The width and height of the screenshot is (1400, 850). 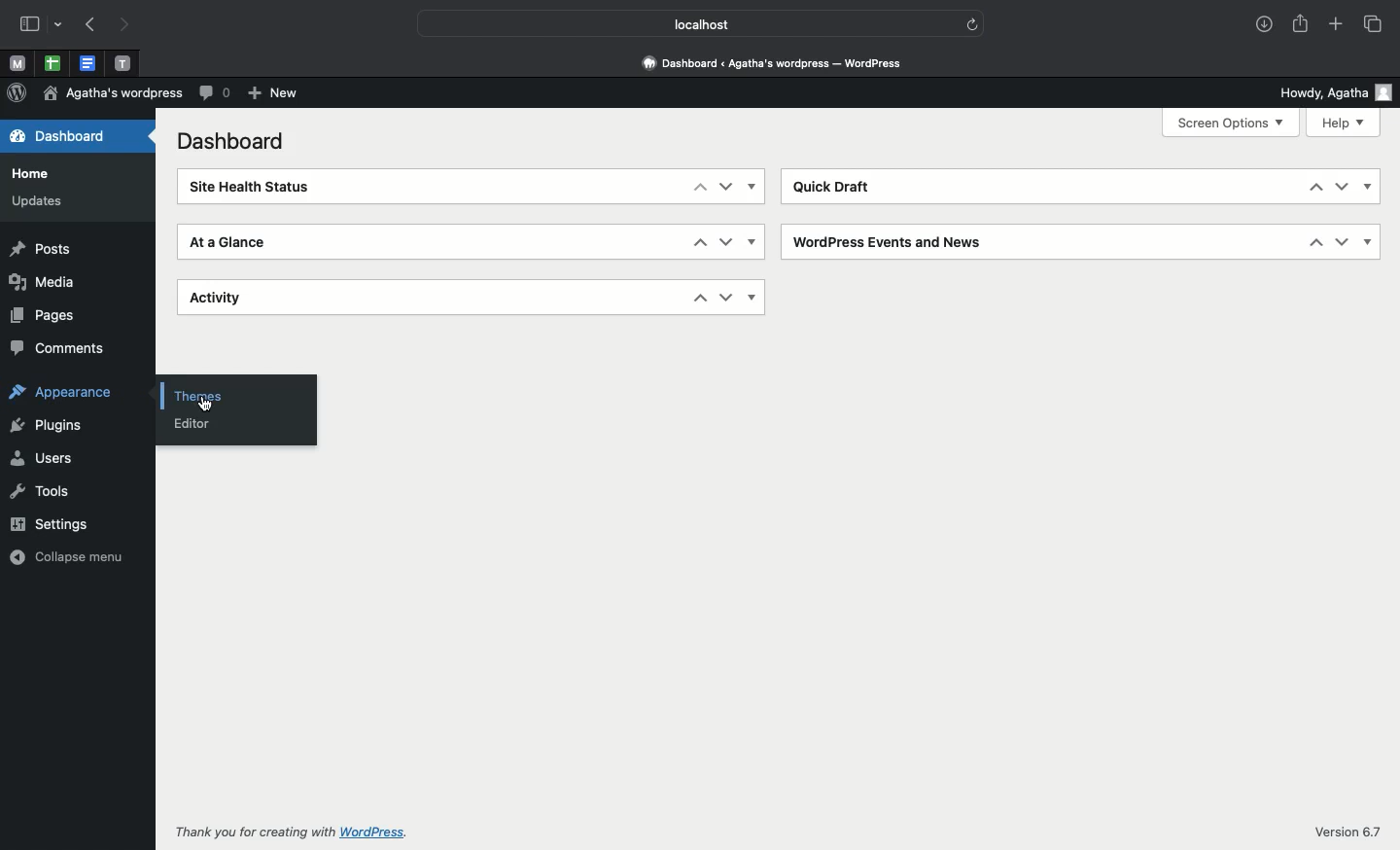 What do you see at coordinates (47, 524) in the screenshot?
I see `Settings` at bounding box center [47, 524].